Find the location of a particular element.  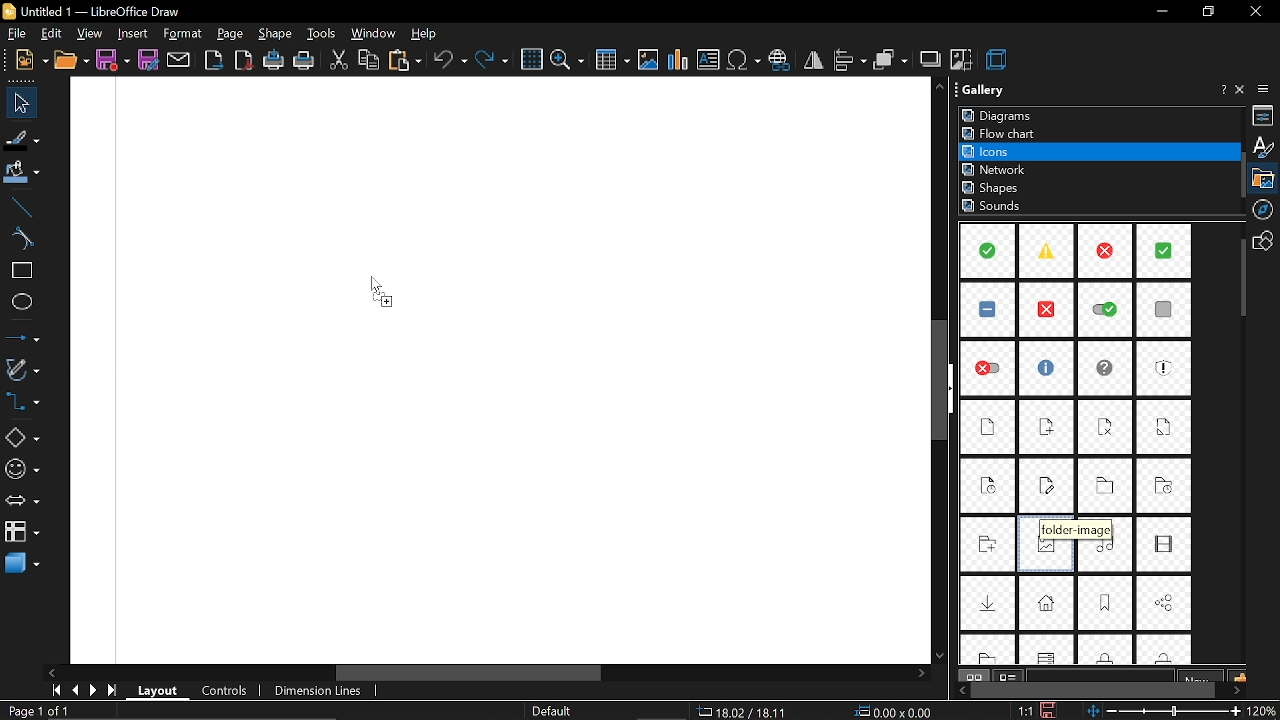

diagrams is located at coordinates (1000, 116).